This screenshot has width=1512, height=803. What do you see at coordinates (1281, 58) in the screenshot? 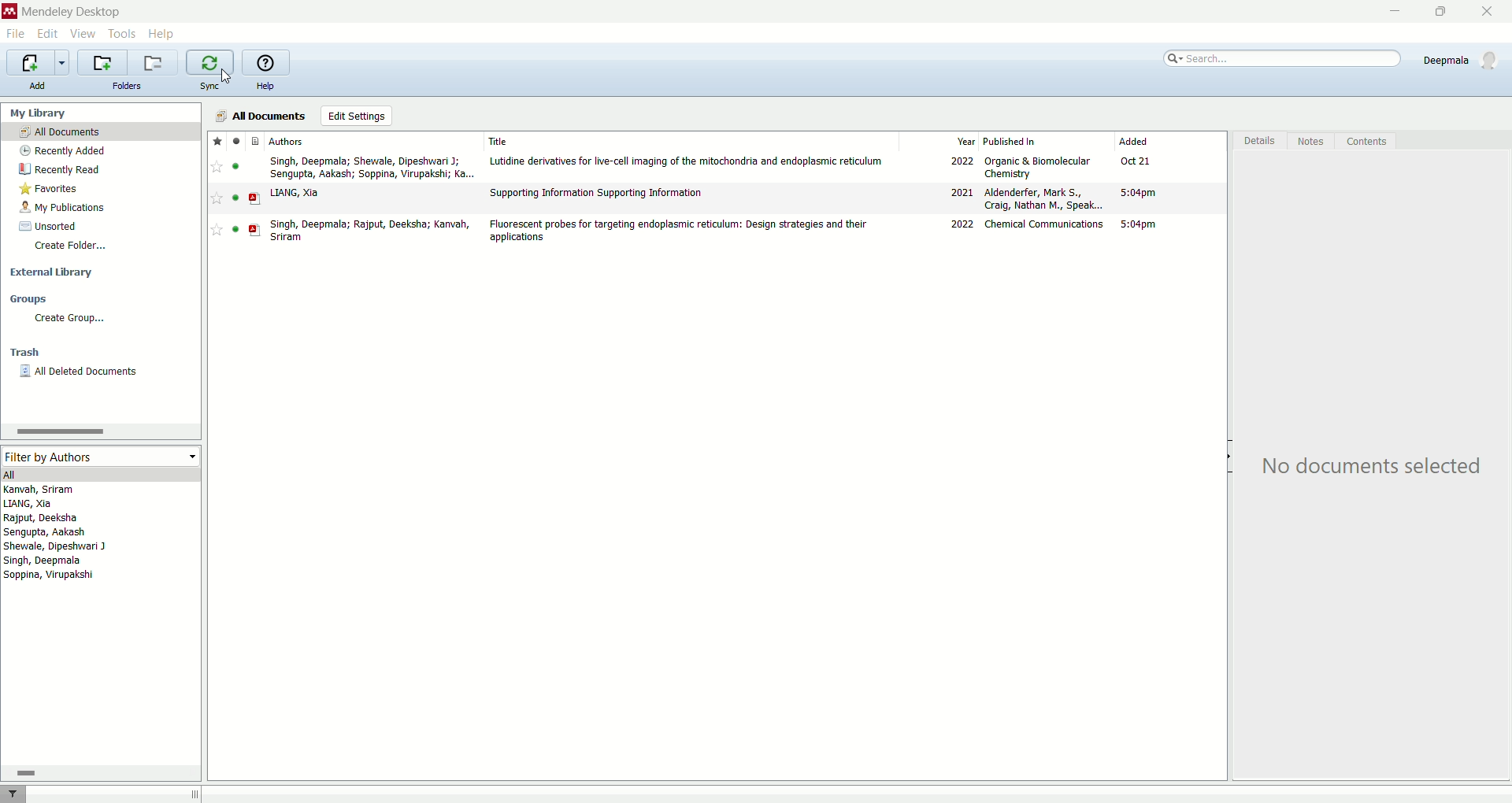
I see `search` at bounding box center [1281, 58].